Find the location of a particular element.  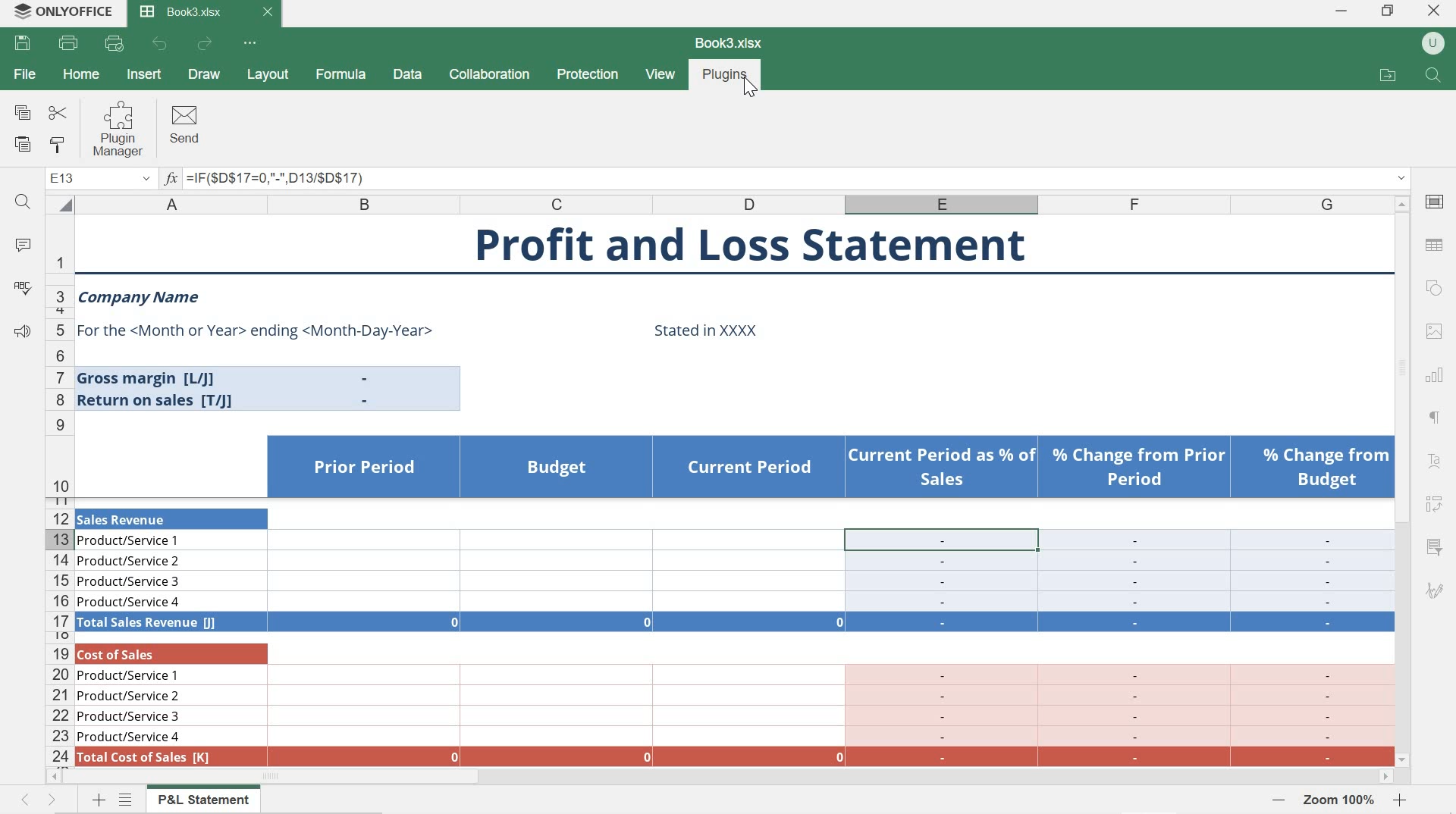

Stated in XXXX is located at coordinates (707, 330).